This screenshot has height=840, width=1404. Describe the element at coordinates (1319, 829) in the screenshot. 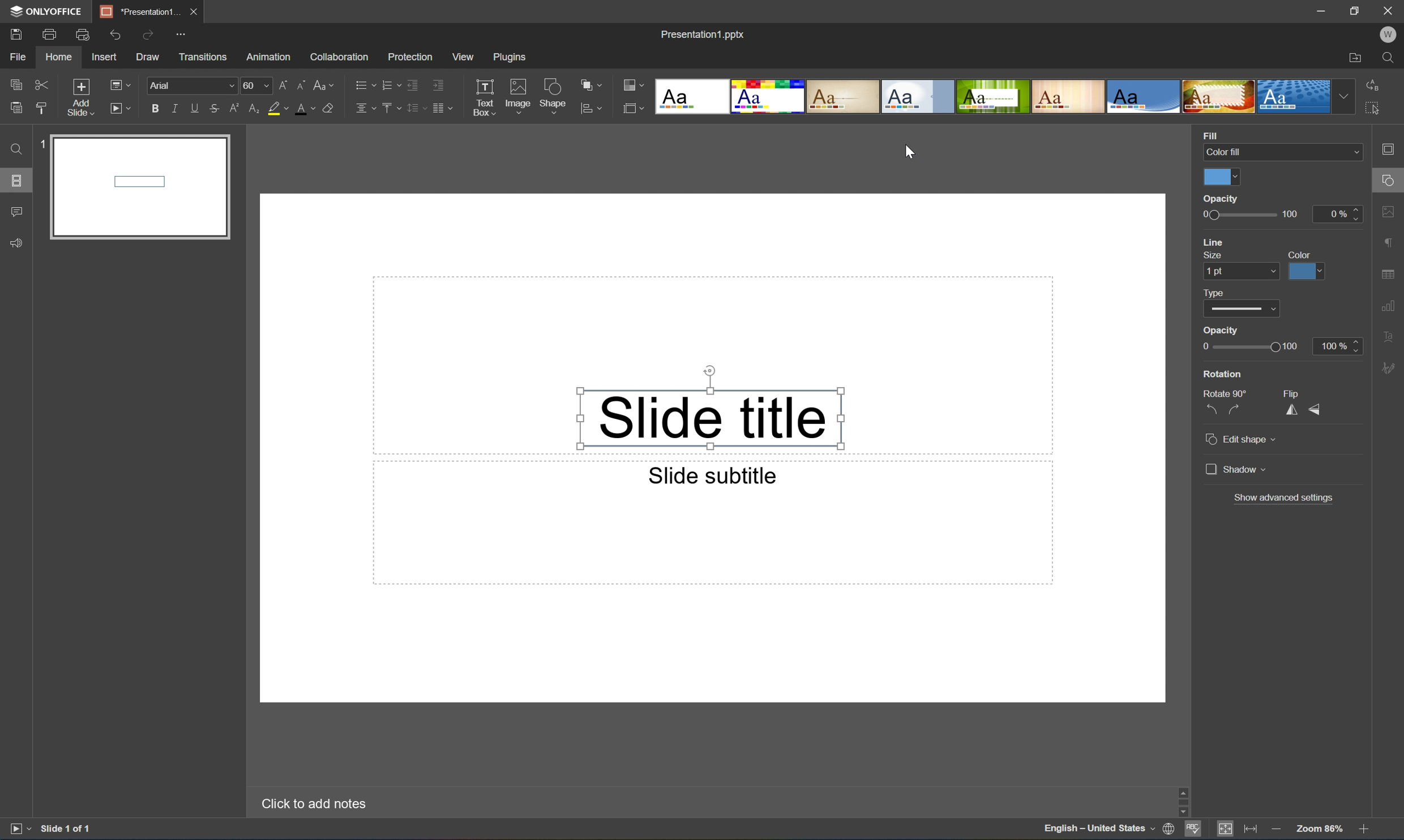

I see `Zoom 103%` at that location.